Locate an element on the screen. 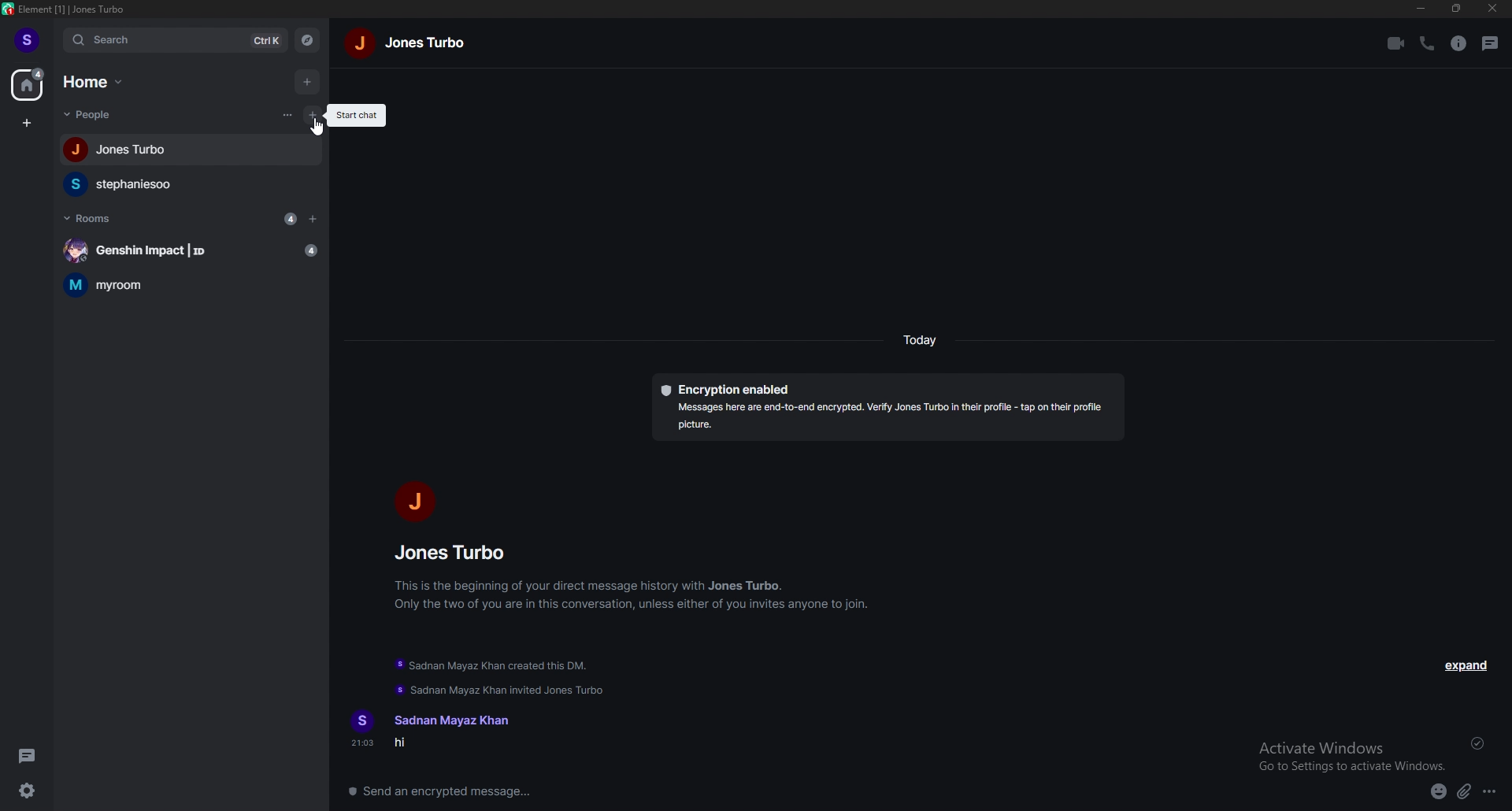  explore rooms is located at coordinates (309, 42).